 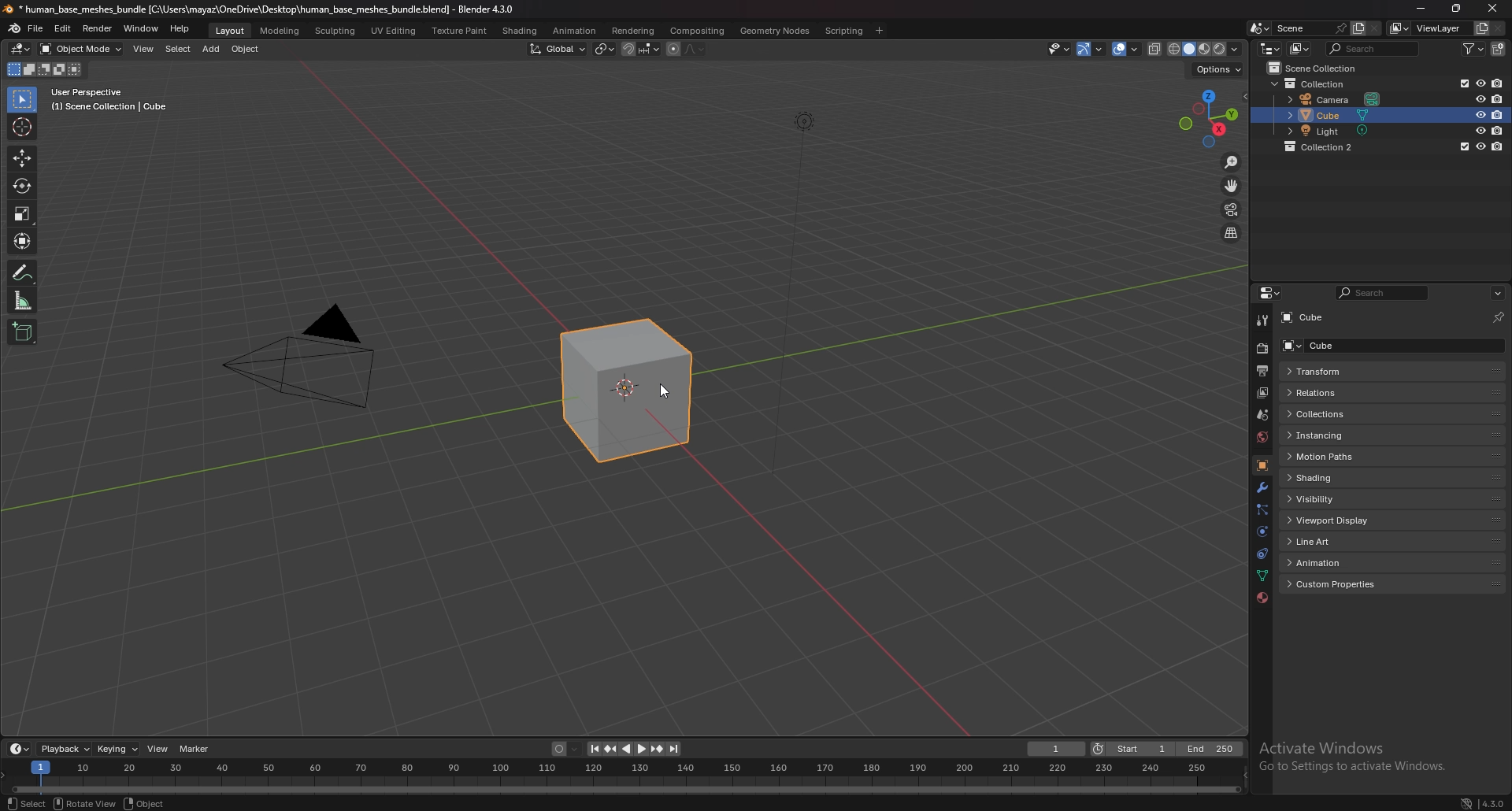 What do you see at coordinates (1462, 146) in the screenshot?
I see `exclude from view layer` at bounding box center [1462, 146].